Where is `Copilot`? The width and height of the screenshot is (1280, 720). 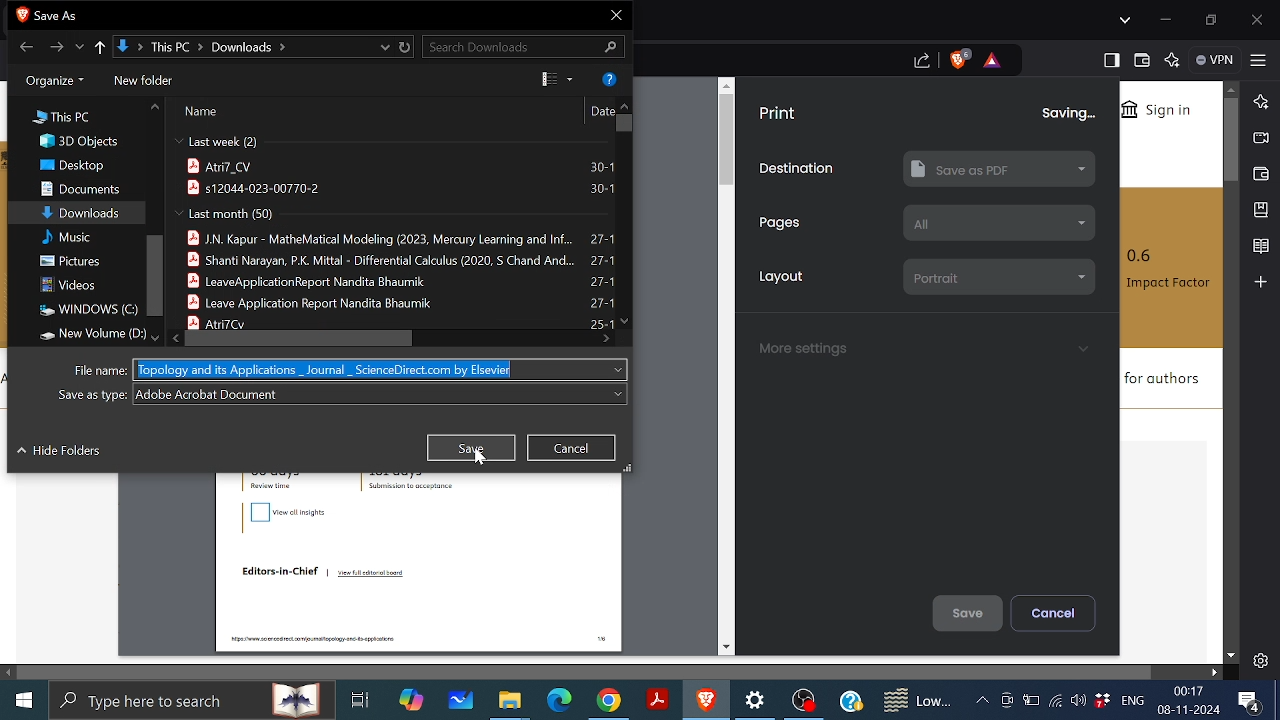 Copilot is located at coordinates (409, 702).